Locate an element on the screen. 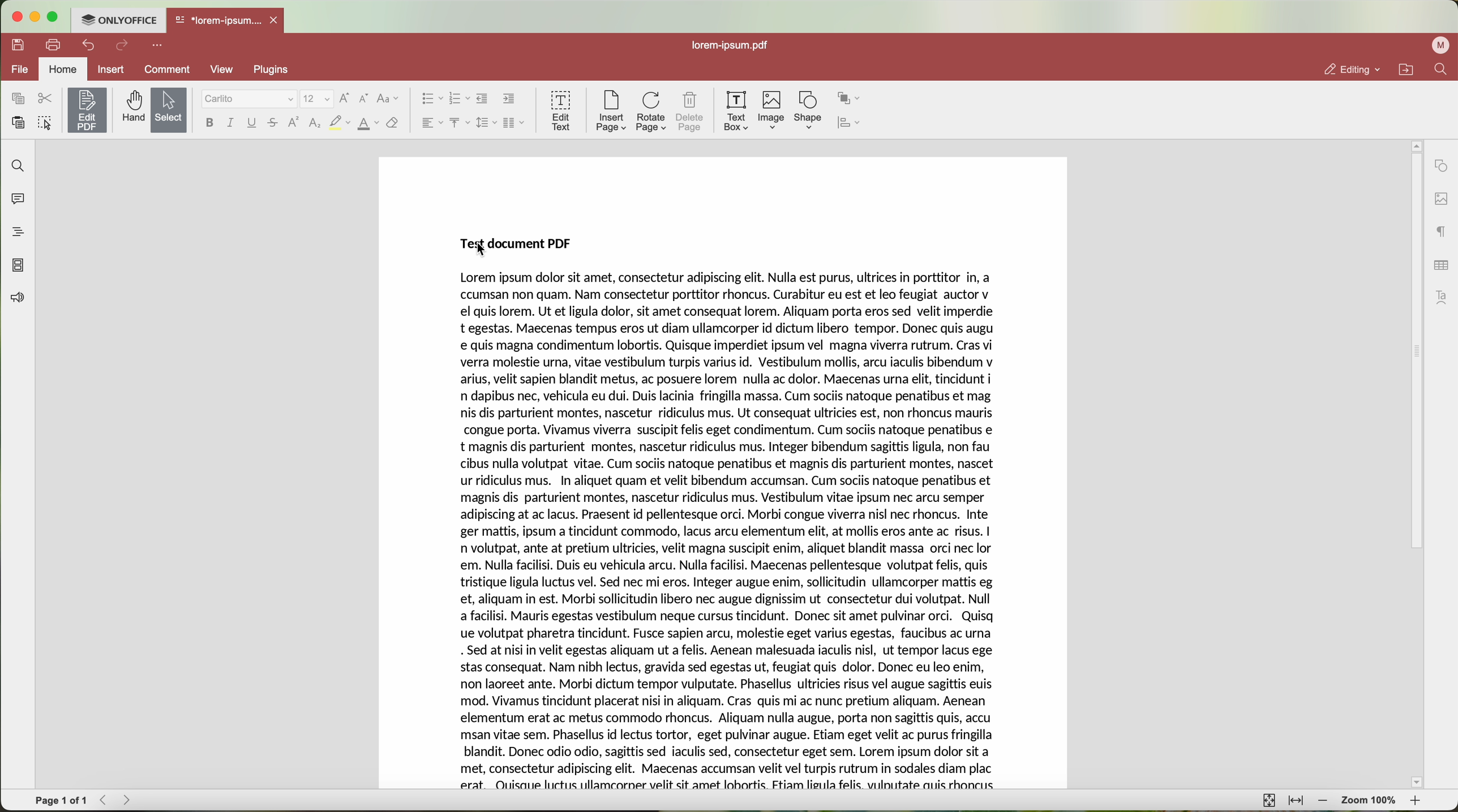  maximize is located at coordinates (58, 16).